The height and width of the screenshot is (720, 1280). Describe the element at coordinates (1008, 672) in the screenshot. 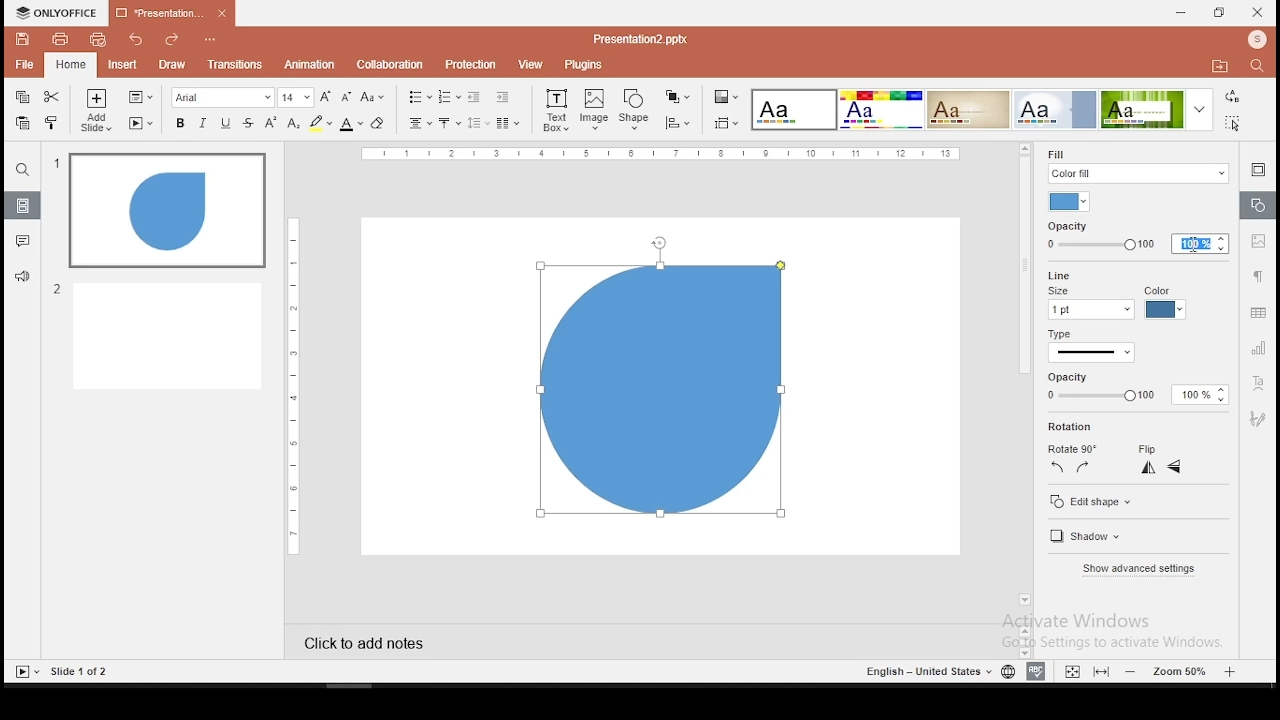

I see `language` at that location.